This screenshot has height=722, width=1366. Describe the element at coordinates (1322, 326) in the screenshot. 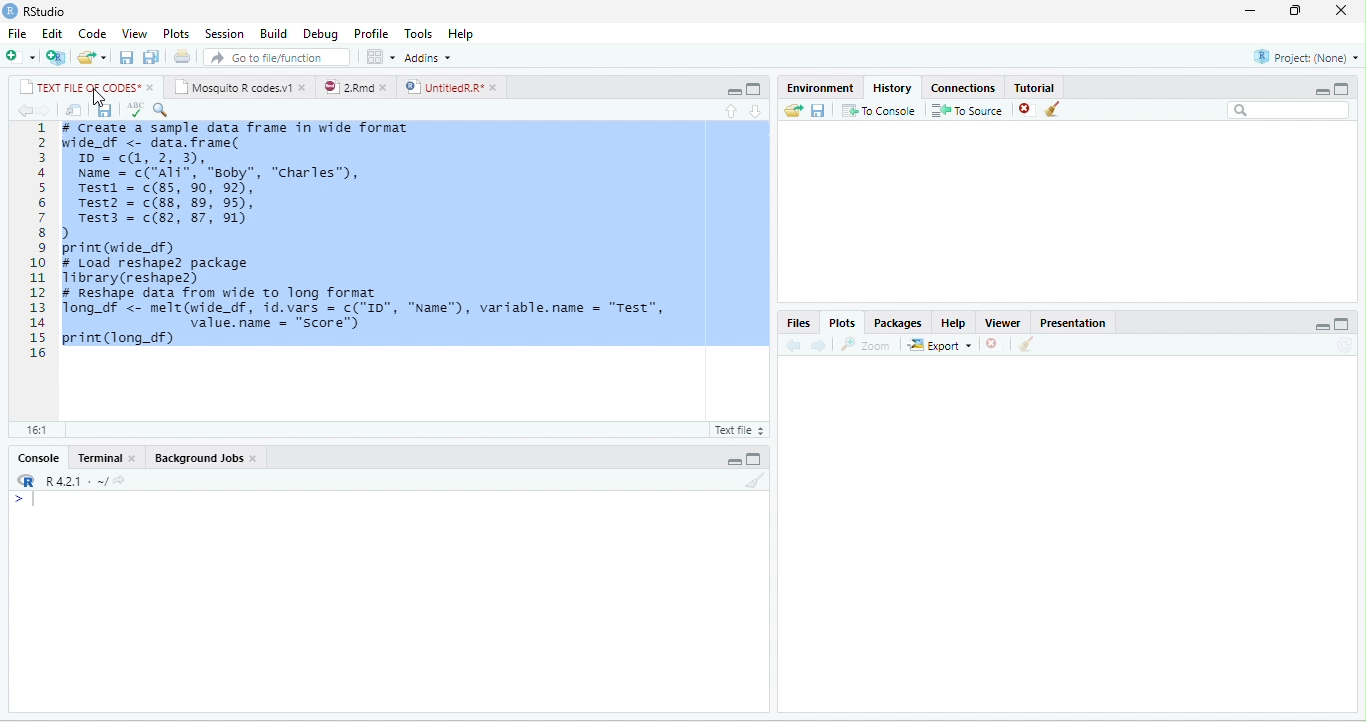

I see `minimize` at that location.